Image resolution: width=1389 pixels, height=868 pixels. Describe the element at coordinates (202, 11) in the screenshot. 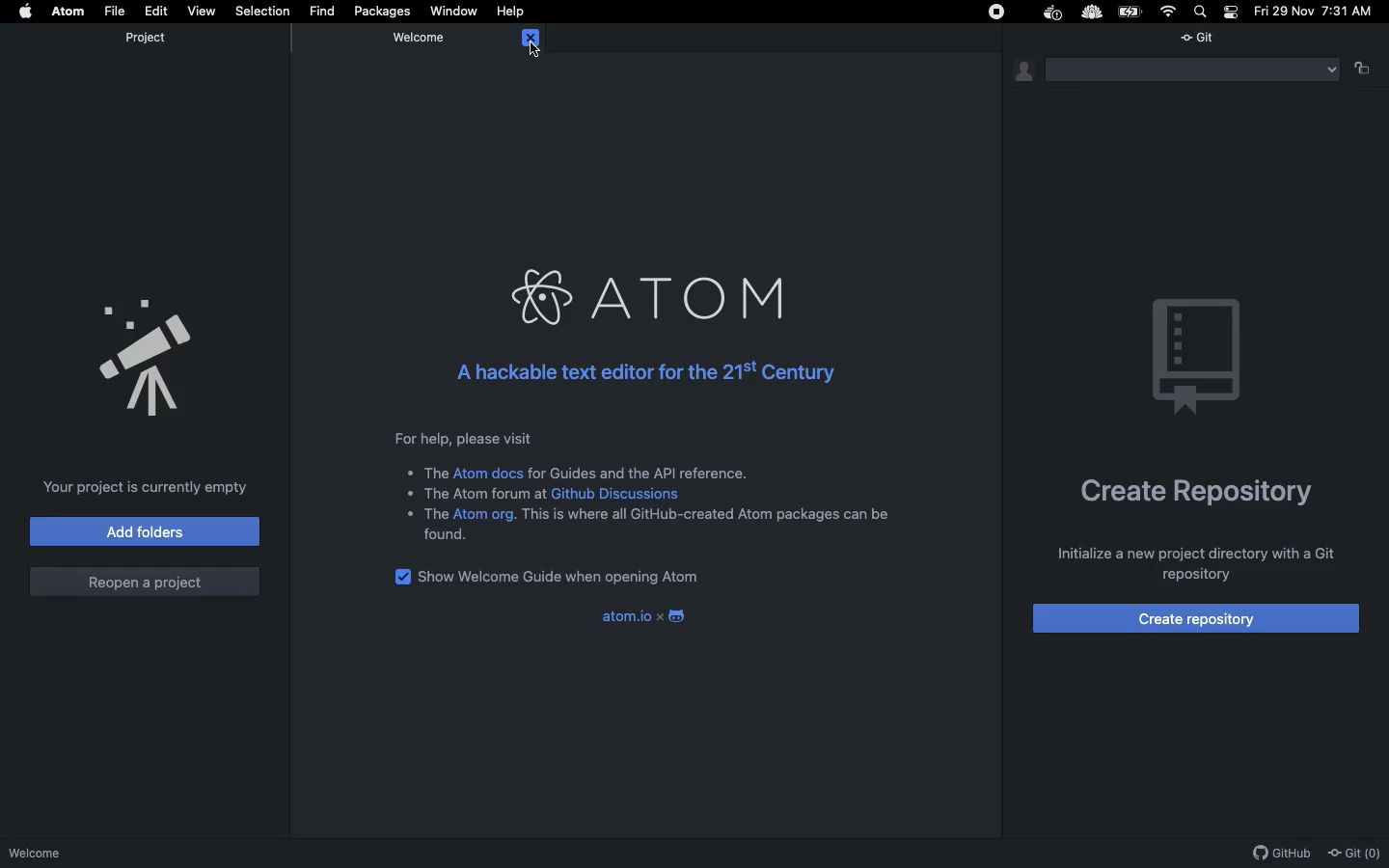

I see `View` at that location.